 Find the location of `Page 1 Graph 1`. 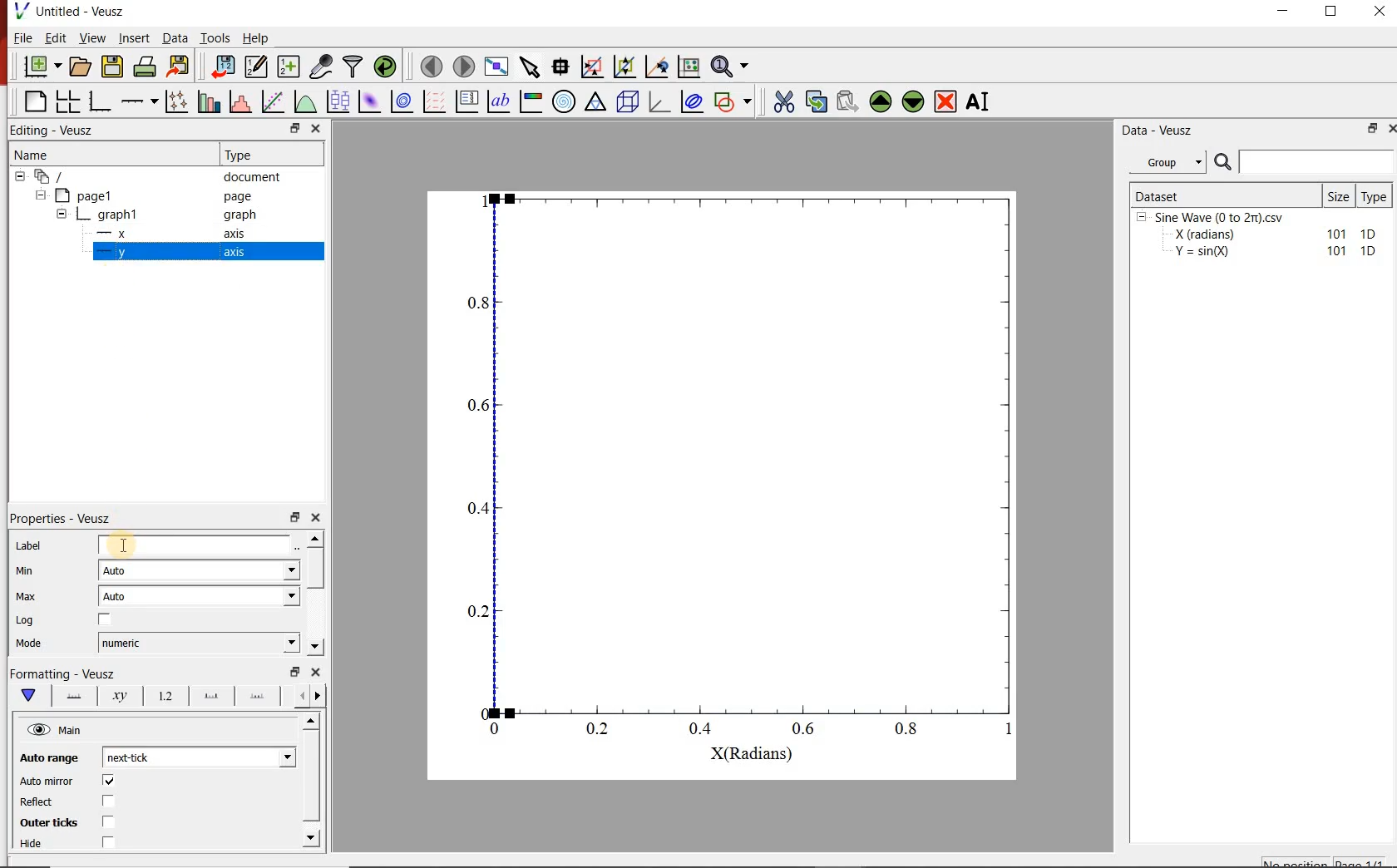

Page 1 Graph 1 is located at coordinates (80, 216).